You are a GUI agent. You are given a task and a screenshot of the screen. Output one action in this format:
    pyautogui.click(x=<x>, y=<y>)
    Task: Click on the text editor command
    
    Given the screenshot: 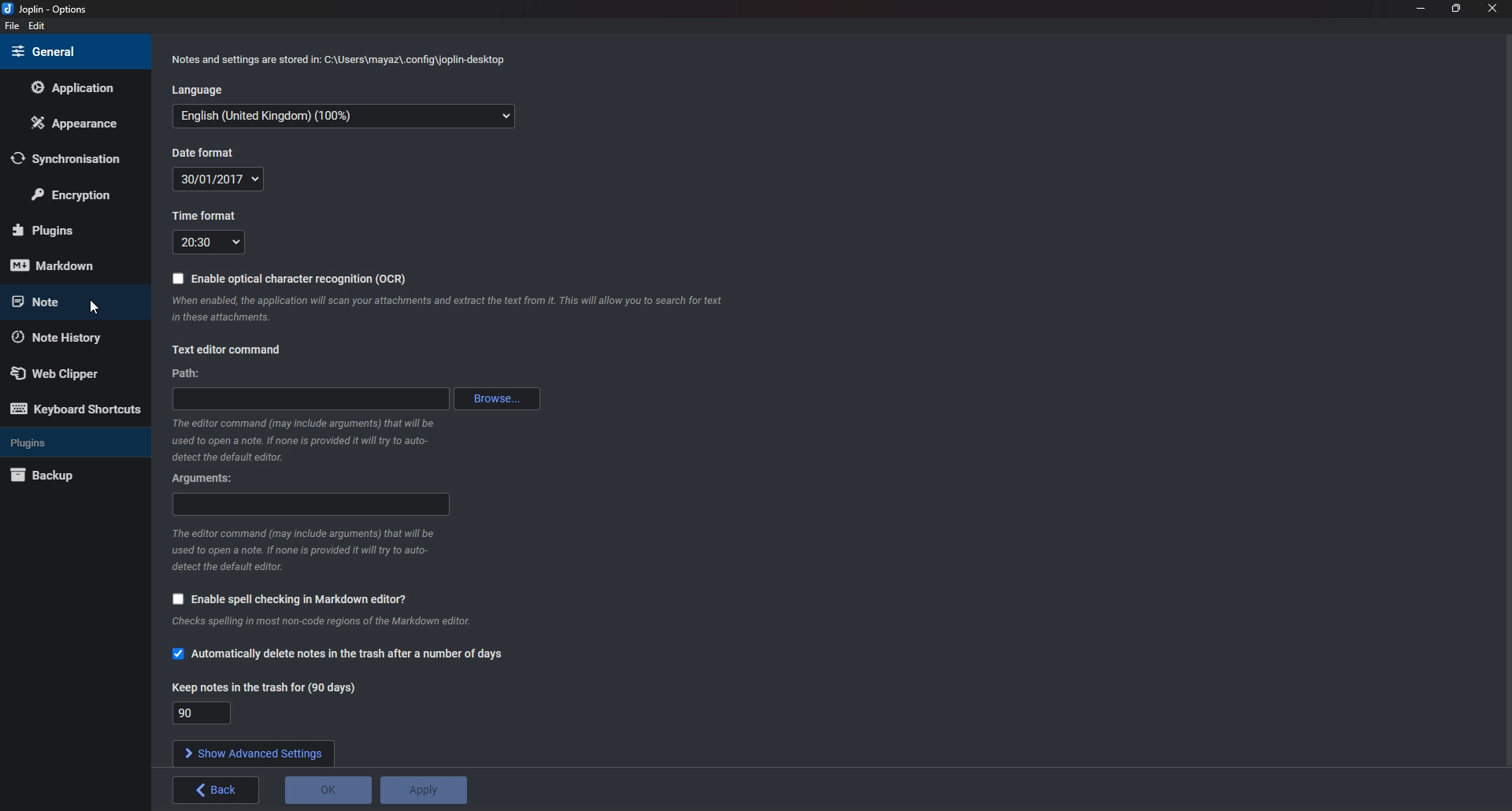 What is the action you would take?
    pyautogui.click(x=230, y=350)
    